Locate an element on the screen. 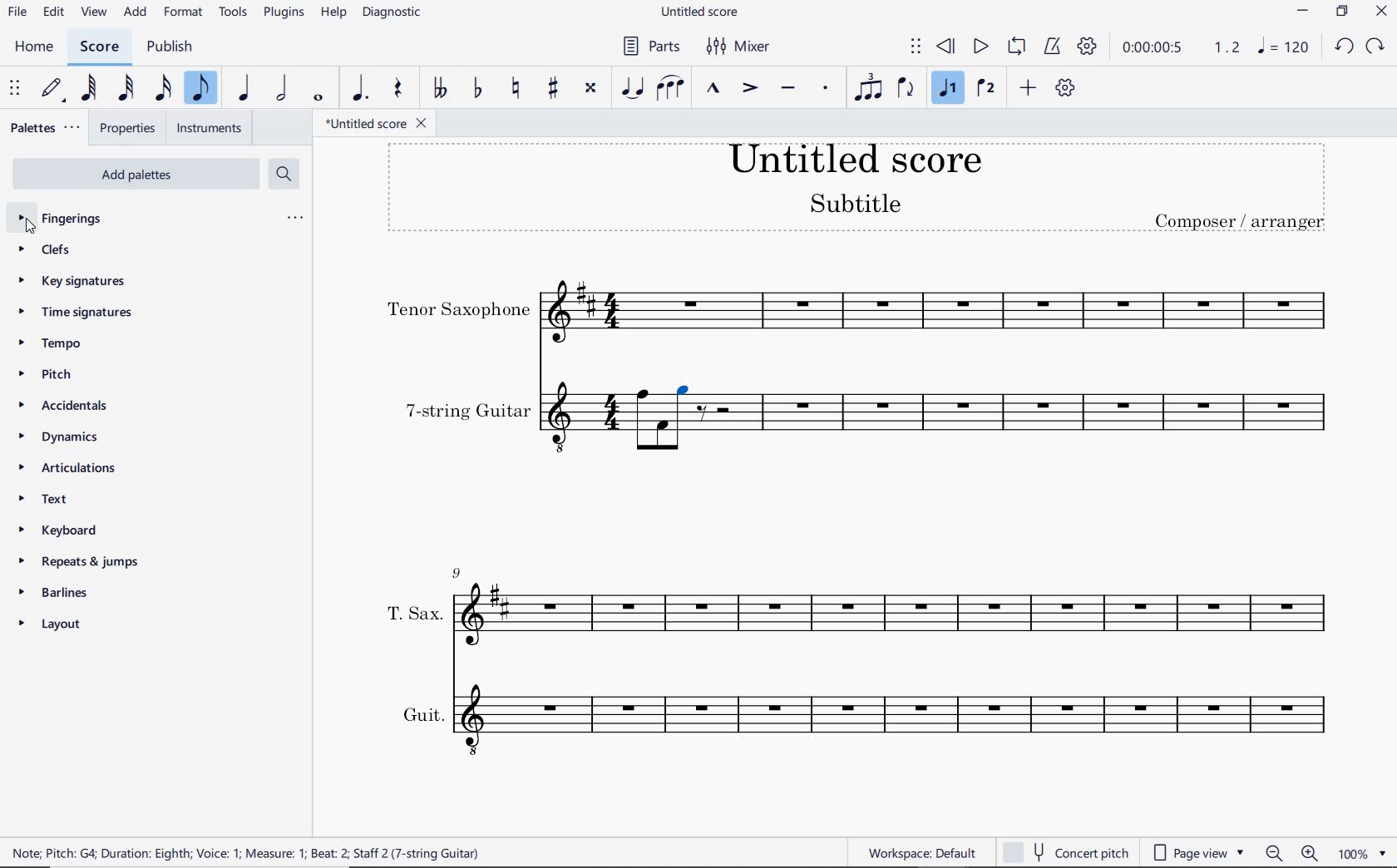 The width and height of the screenshot is (1397, 868). SCORE is located at coordinates (98, 47).